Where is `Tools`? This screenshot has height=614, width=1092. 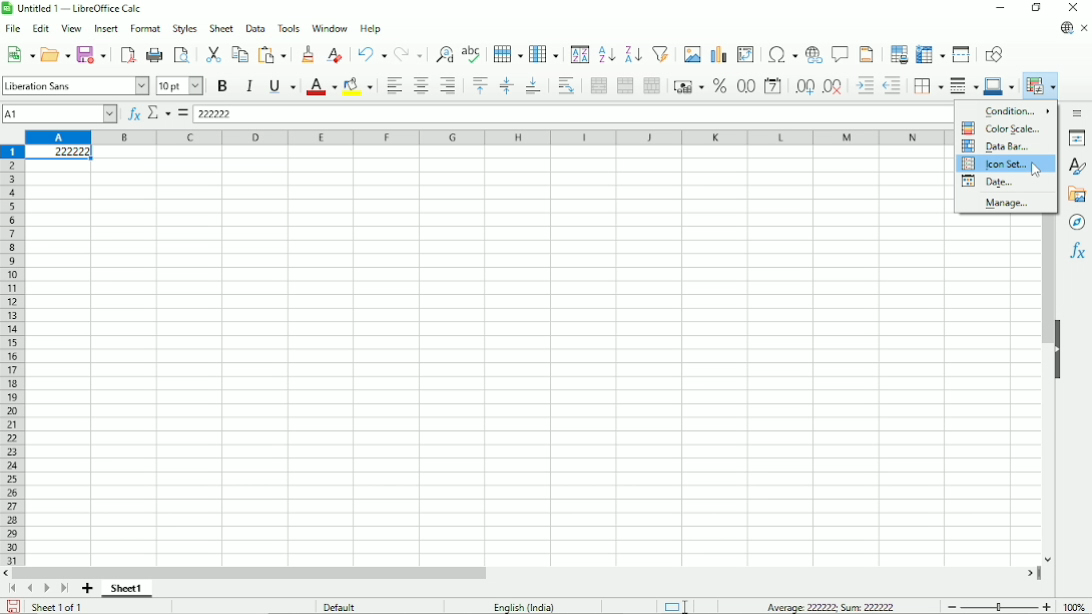 Tools is located at coordinates (287, 27).